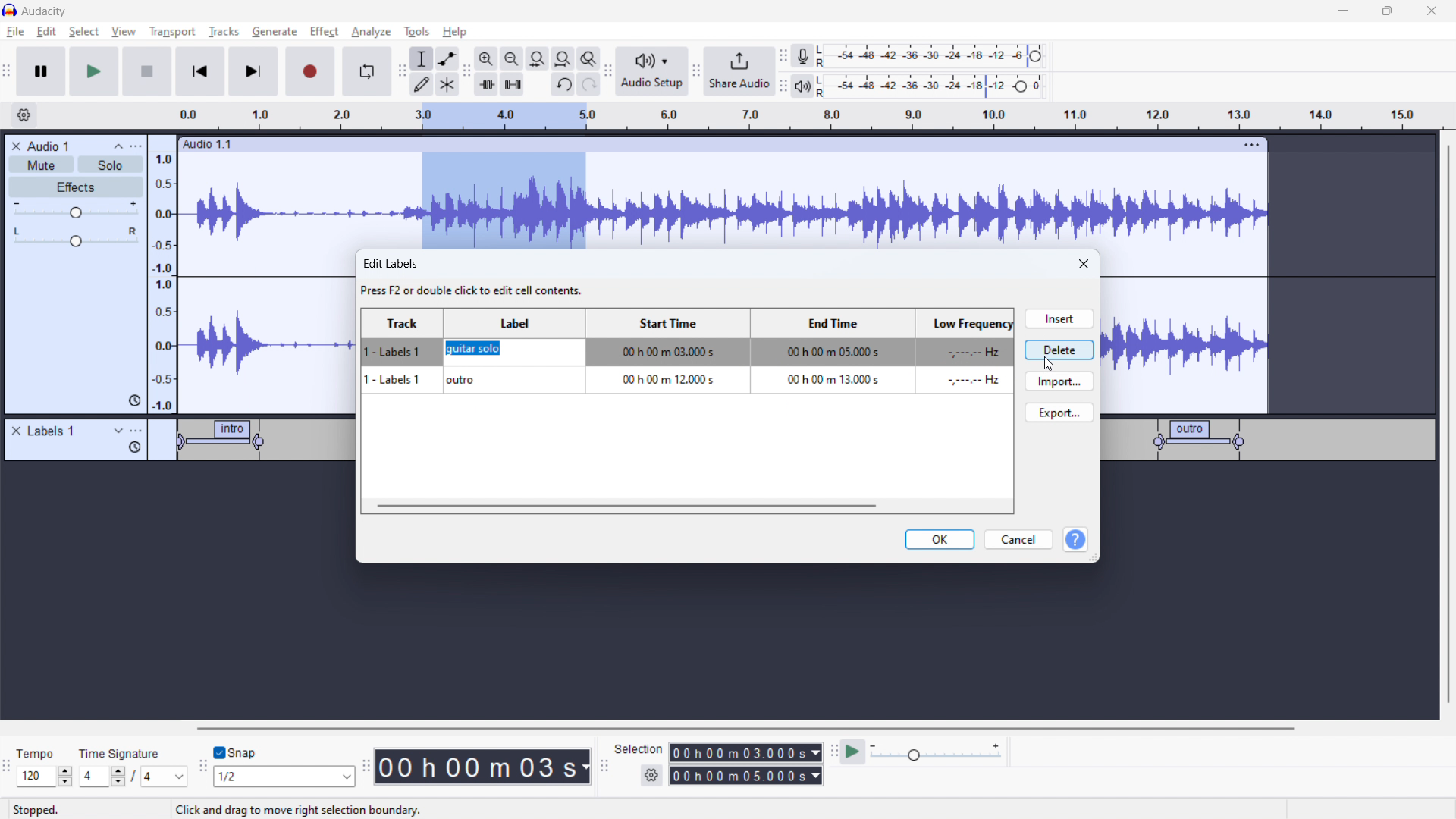 This screenshot has width=1456, height=819. I want to click on selection settings, so click(652, 776).